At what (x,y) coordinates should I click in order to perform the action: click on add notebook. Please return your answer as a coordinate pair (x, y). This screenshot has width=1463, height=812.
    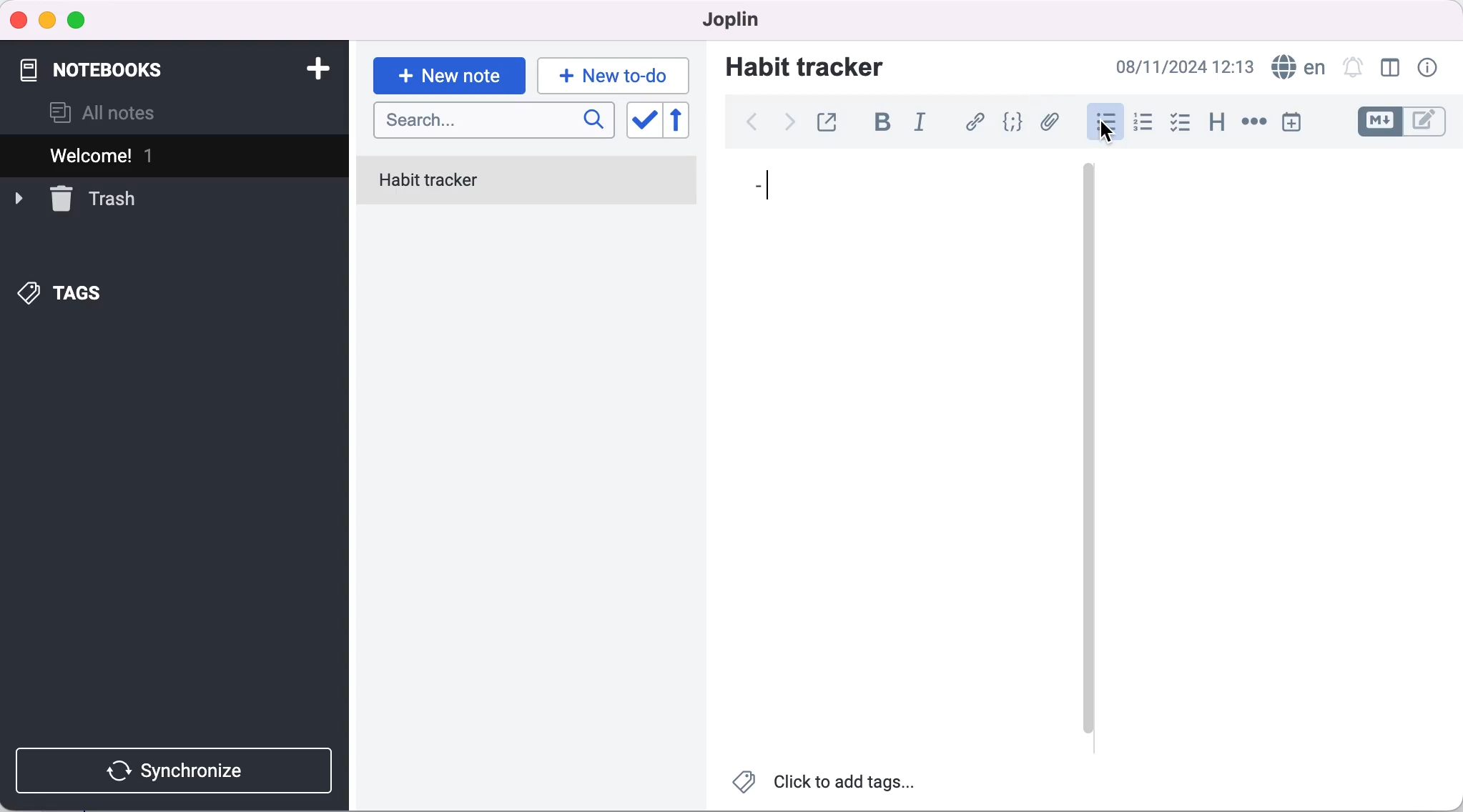
    Looking at the image, I should click on (315, 67).